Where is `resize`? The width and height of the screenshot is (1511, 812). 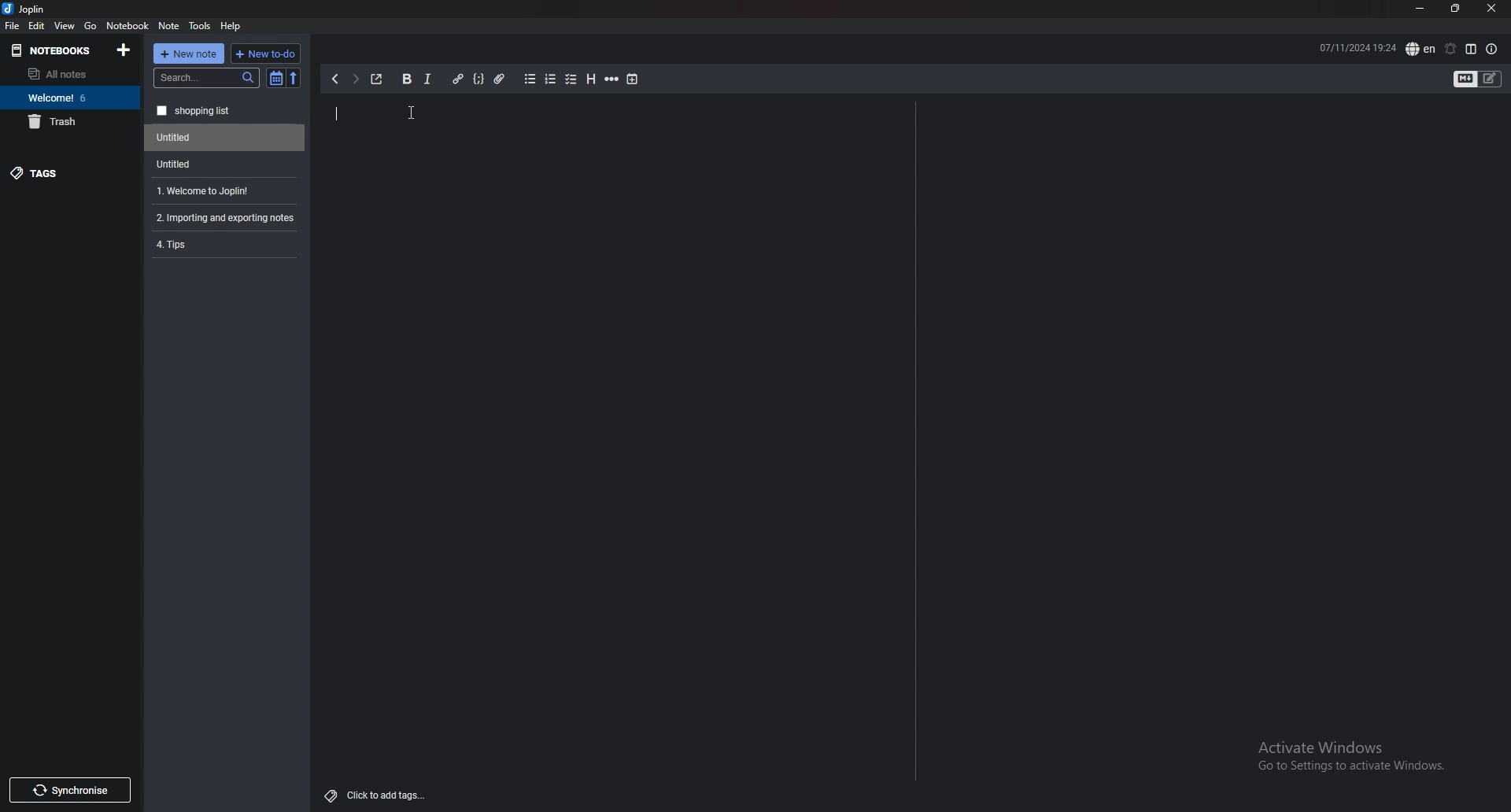 resize is located at coordinates (1455, 9).